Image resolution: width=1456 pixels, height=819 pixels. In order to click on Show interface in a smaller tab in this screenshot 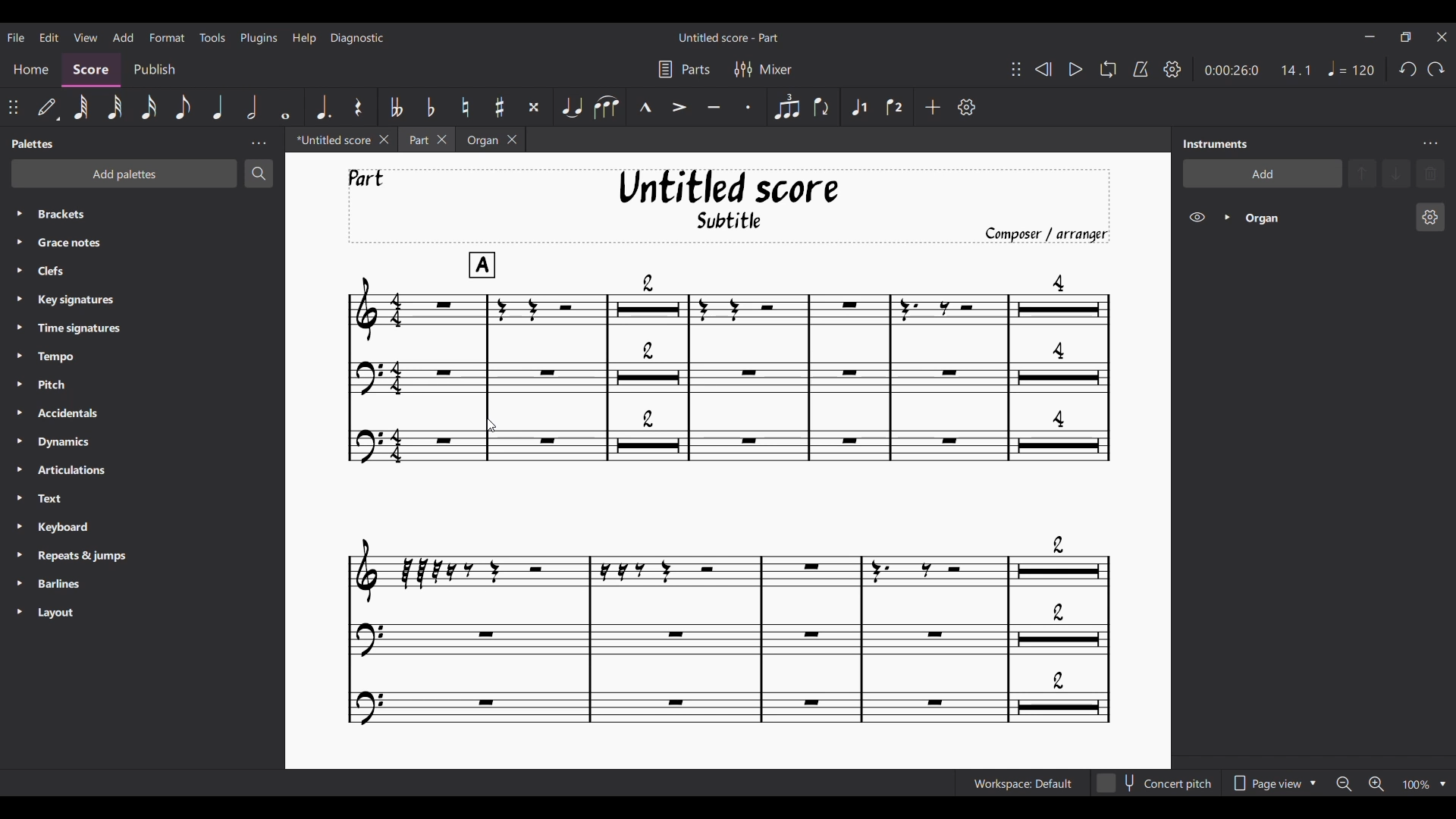, I will do `click(1406, 36)`.